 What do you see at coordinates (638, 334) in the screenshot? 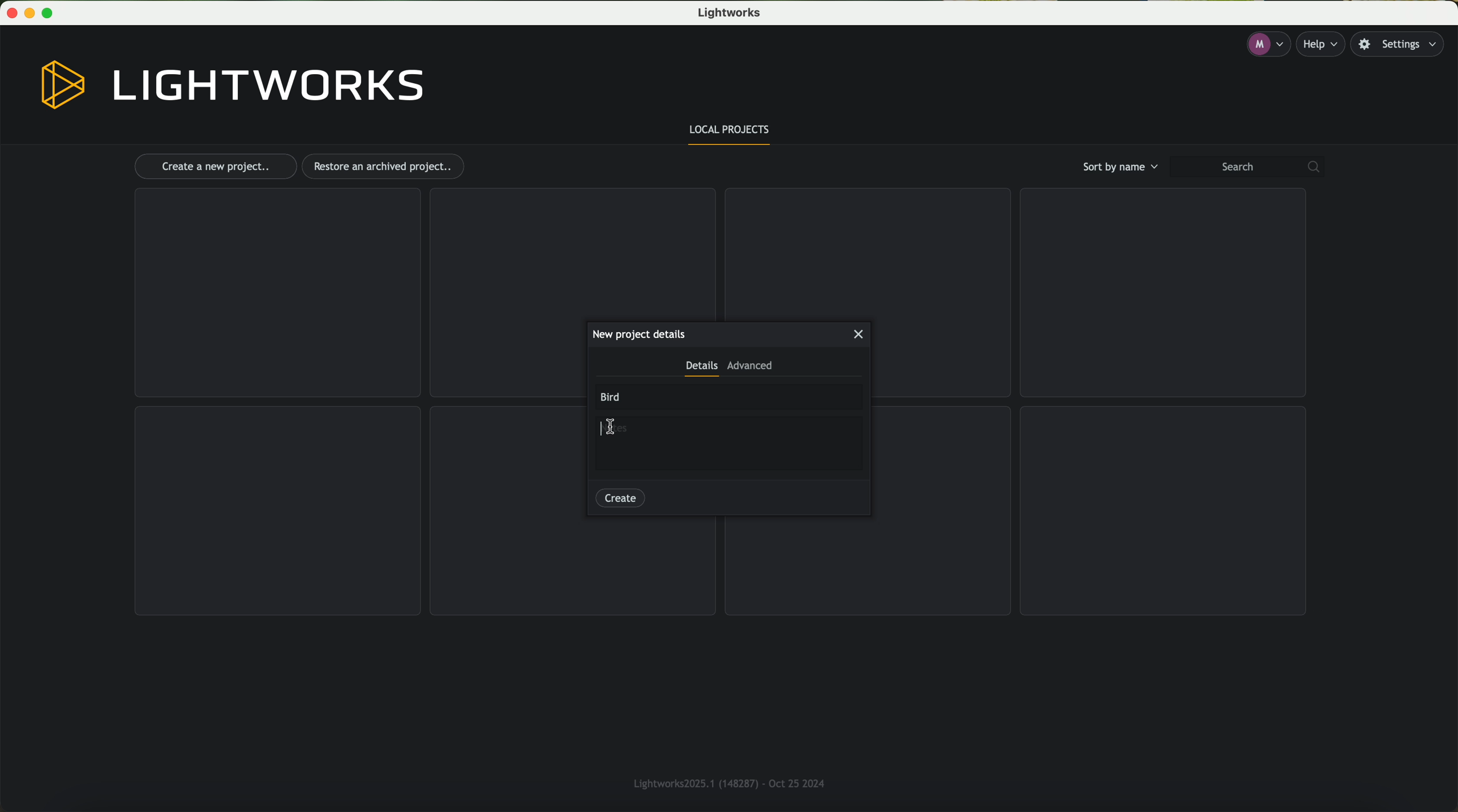
I see `new project details` at bounding box center [638, 334].